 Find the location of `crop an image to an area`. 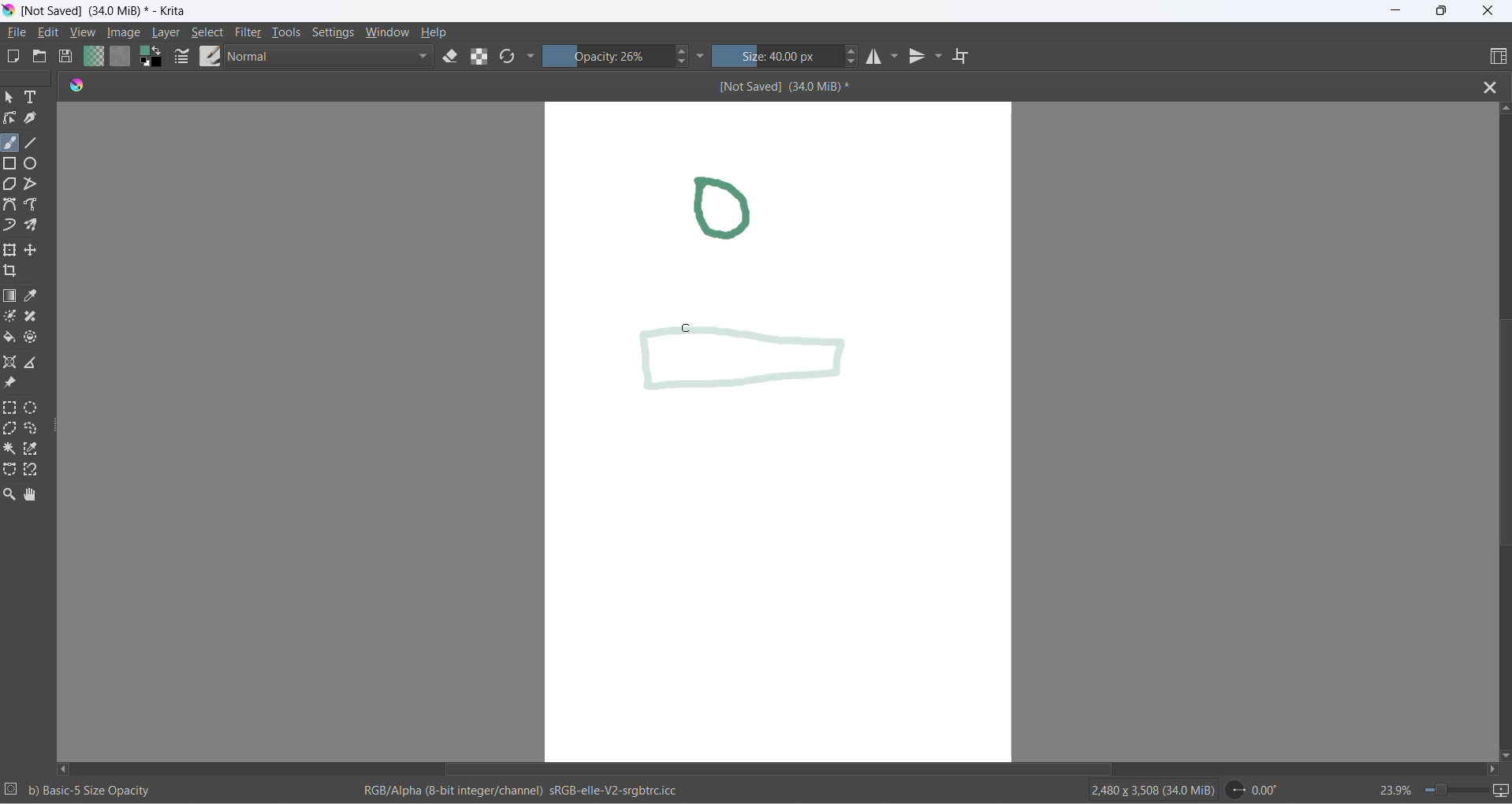

crop an image to an area is located at coordinates (16, 274).